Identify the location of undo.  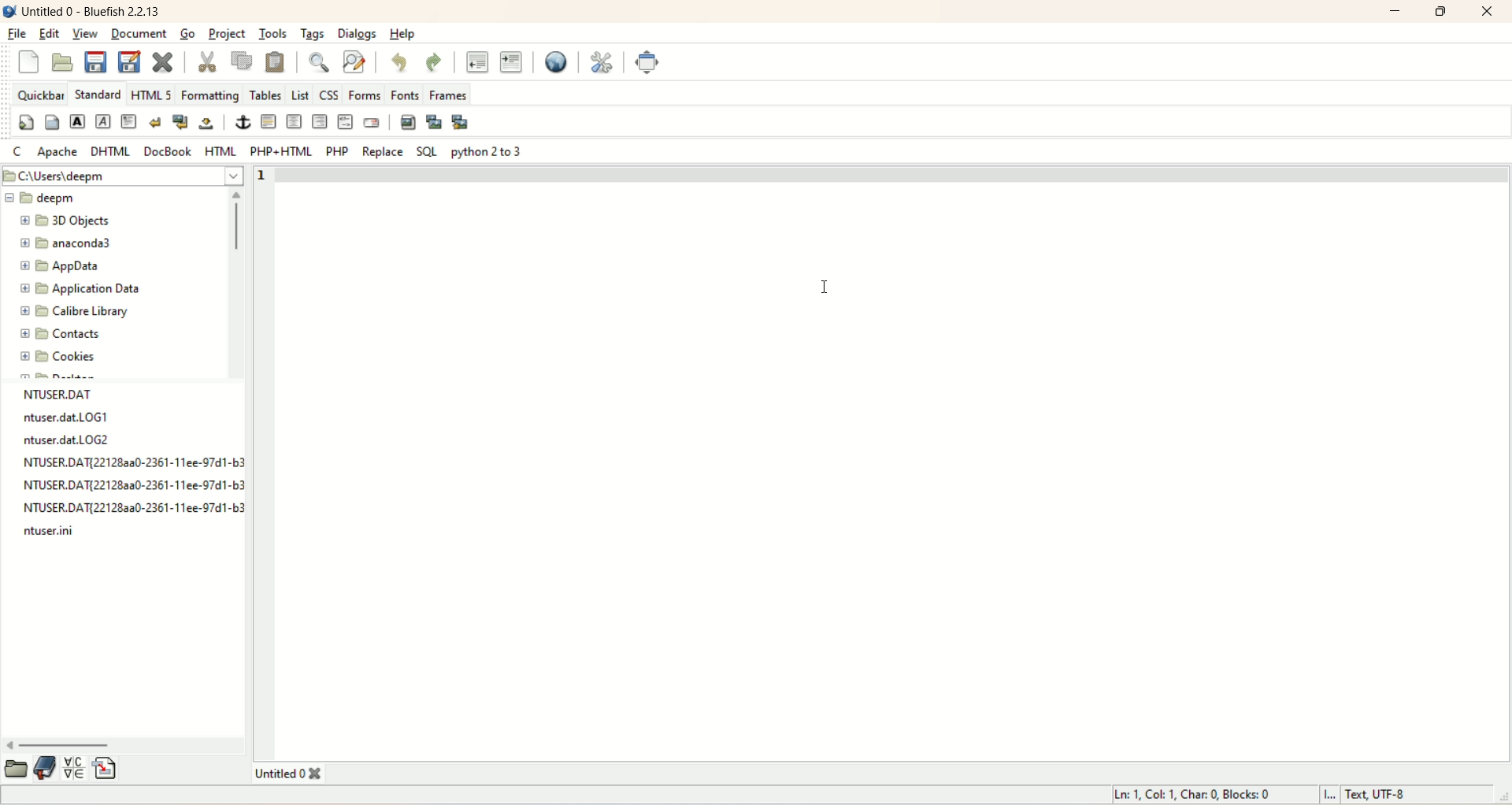
(398, 63).